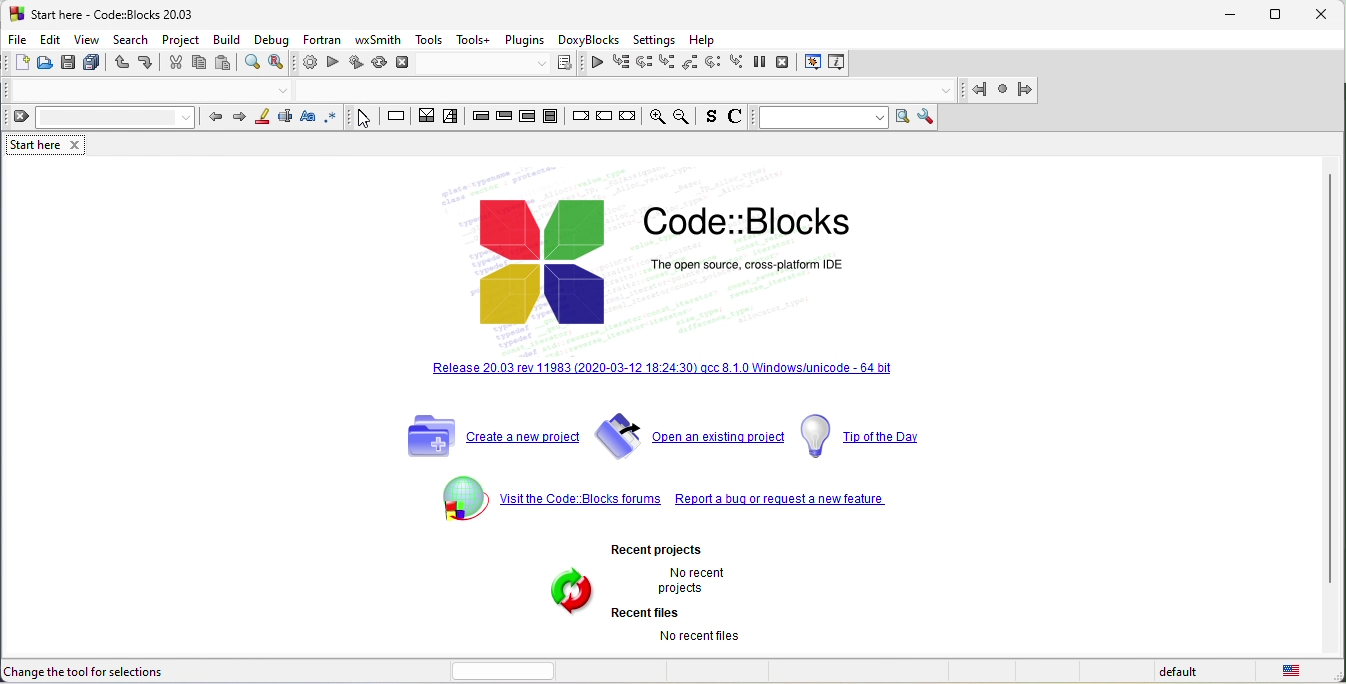 This screenshot has height=684, width=1346. I want to click on maximize, so click(1280, 16).